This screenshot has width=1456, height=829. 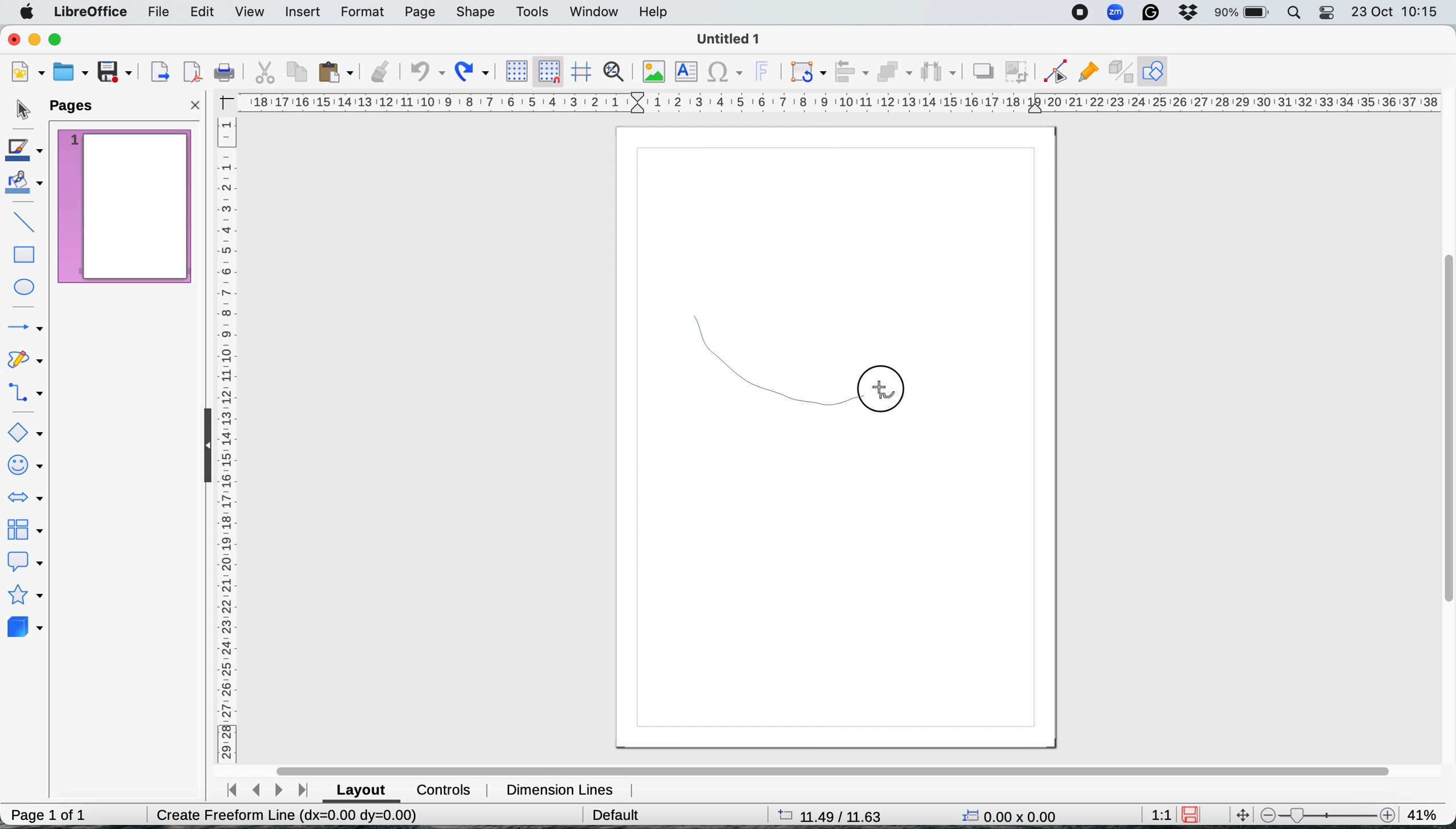 What do you see at coordinates (338, 73) in the screenshot?
I see `paste` at bounding box center [338, 73].